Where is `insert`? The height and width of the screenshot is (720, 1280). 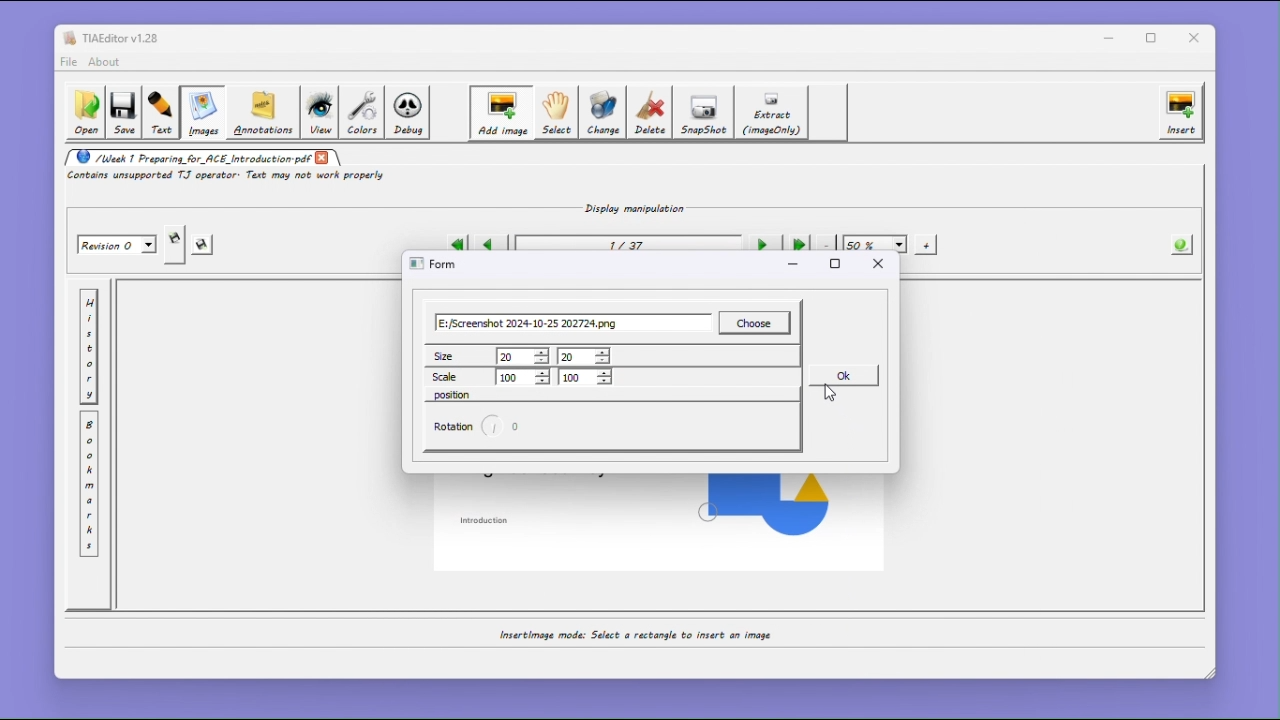
insert is located at coordinates (1181, 112).